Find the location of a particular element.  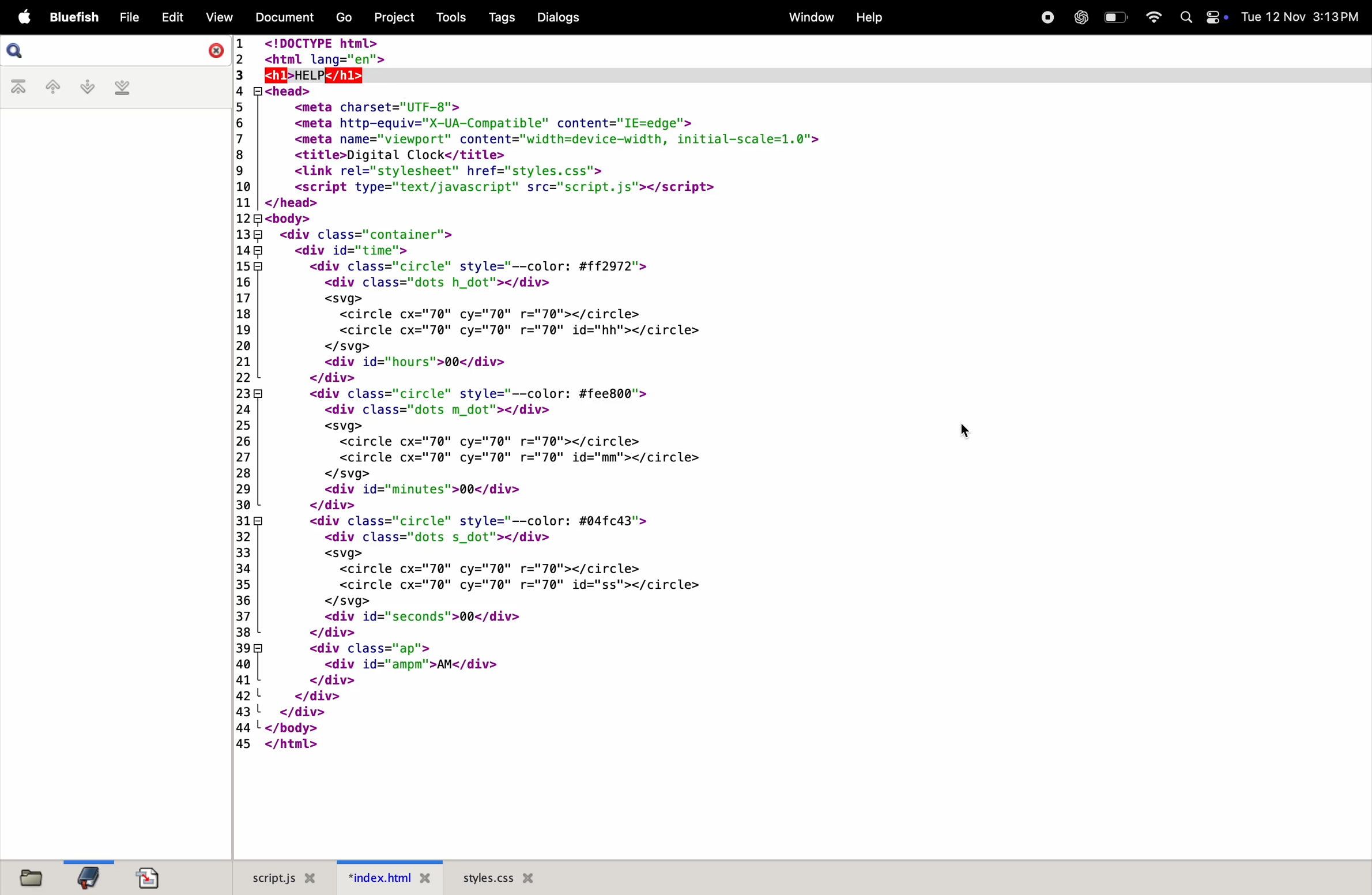

last bookmark is located at coordinates (122, 88).